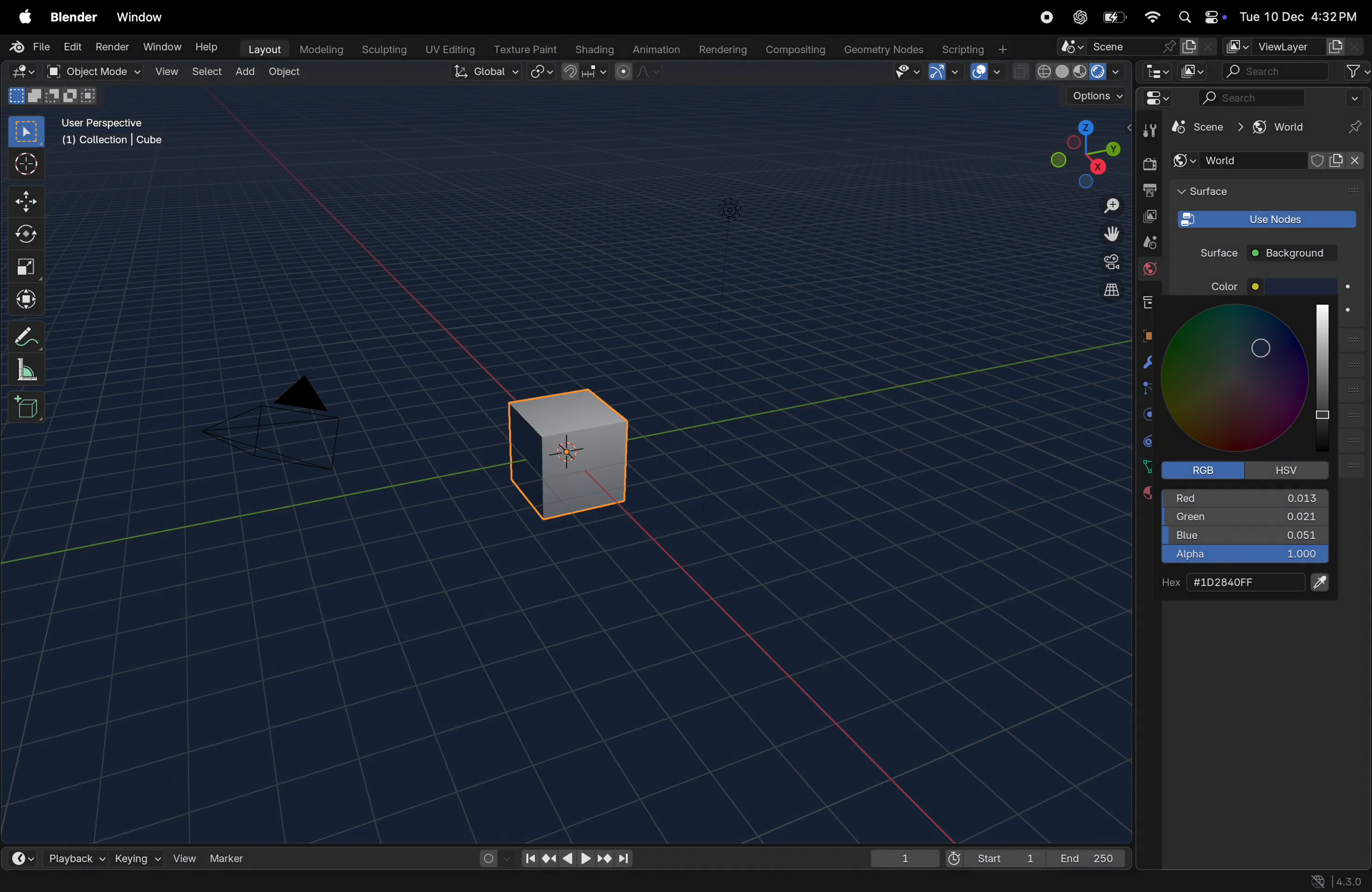 The image size is (1372, 892). I want to click on Hsv, so click(1288, 470).